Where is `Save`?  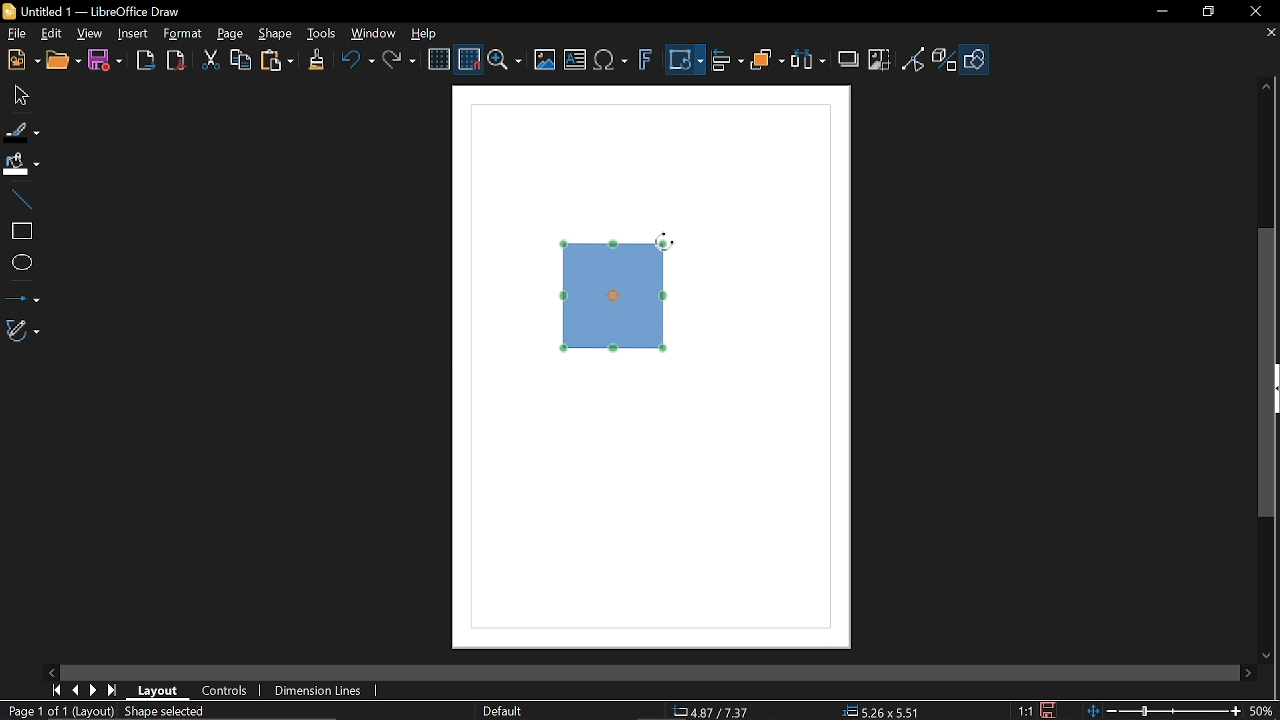
Save is located at coordinates (104, 63).